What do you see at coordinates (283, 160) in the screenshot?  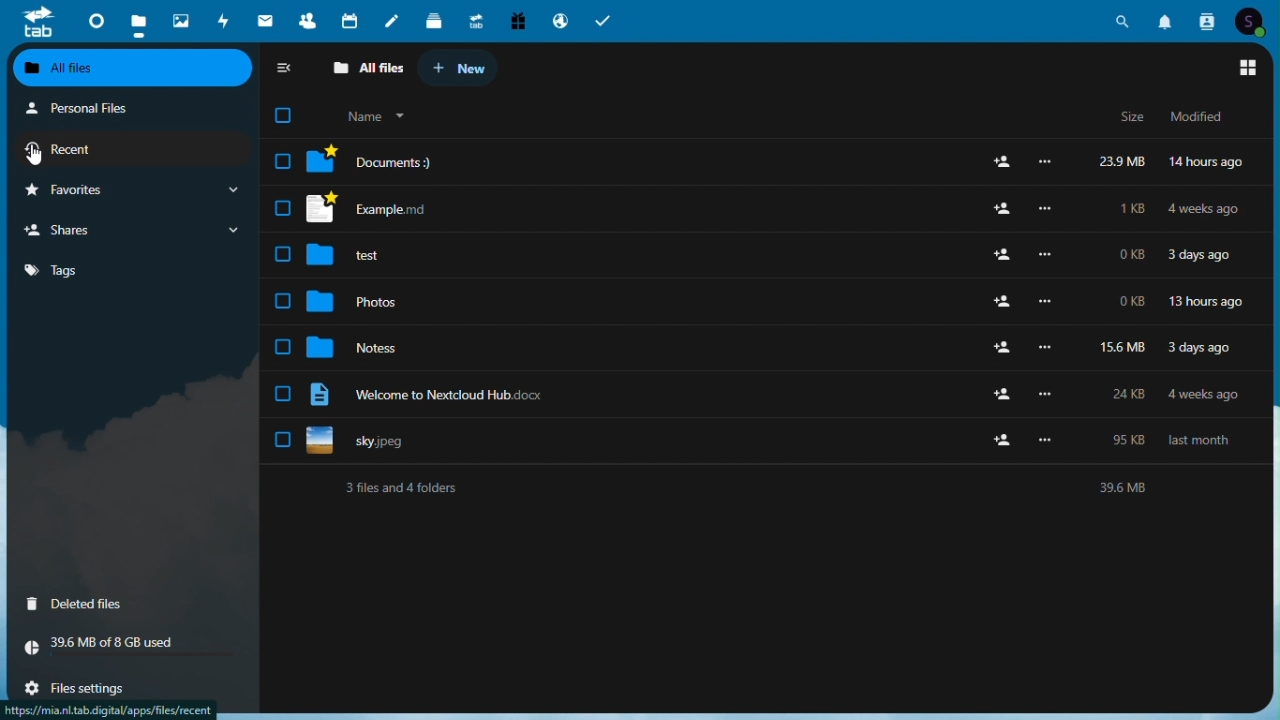 I see `checkbox` at bounding box center [283, 160].